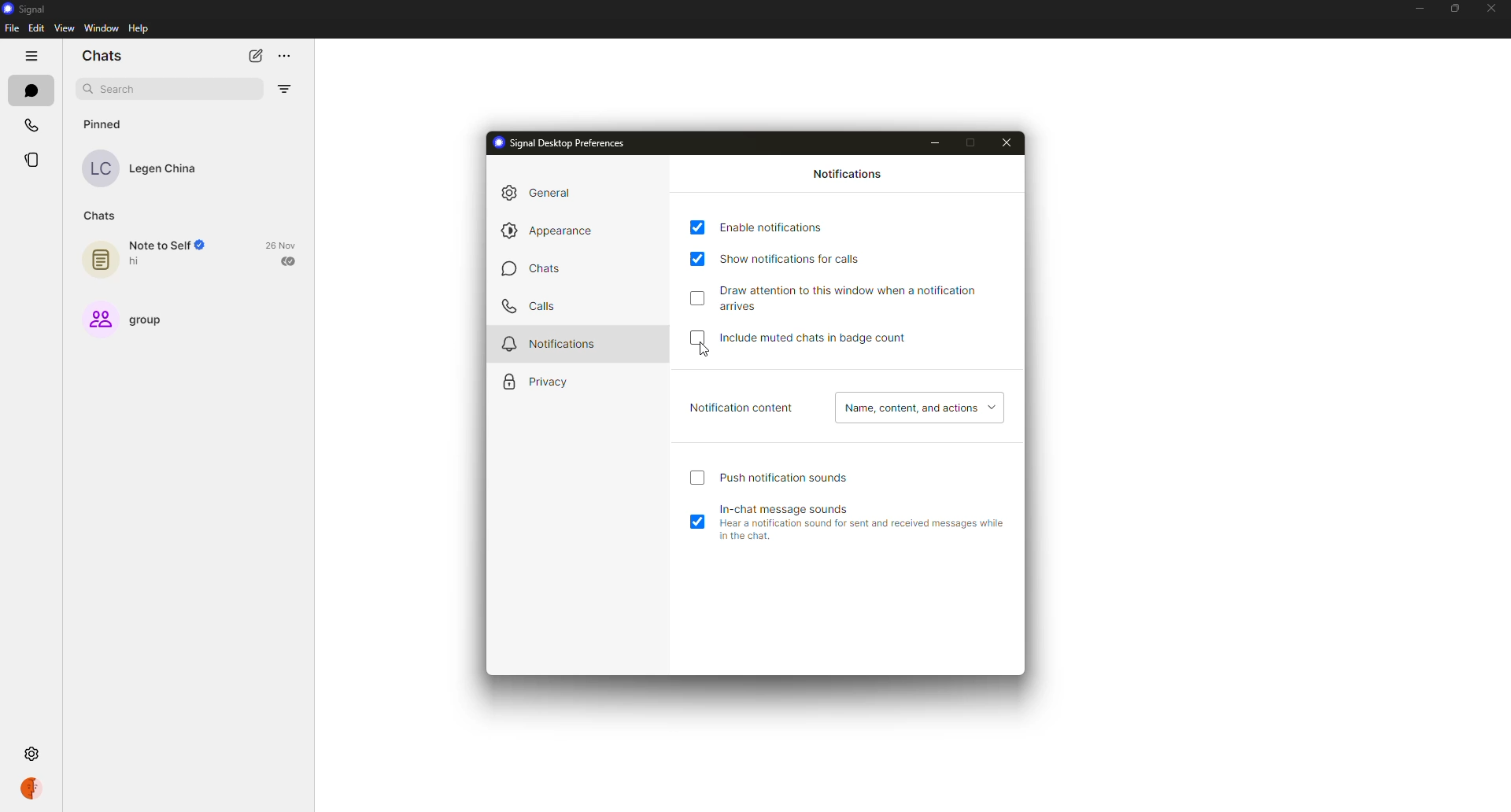 The height and width of the screenshot is (812, 1511). Describe the element at coordinates (21, 9) in the screenshot. I see `signal` at that location.